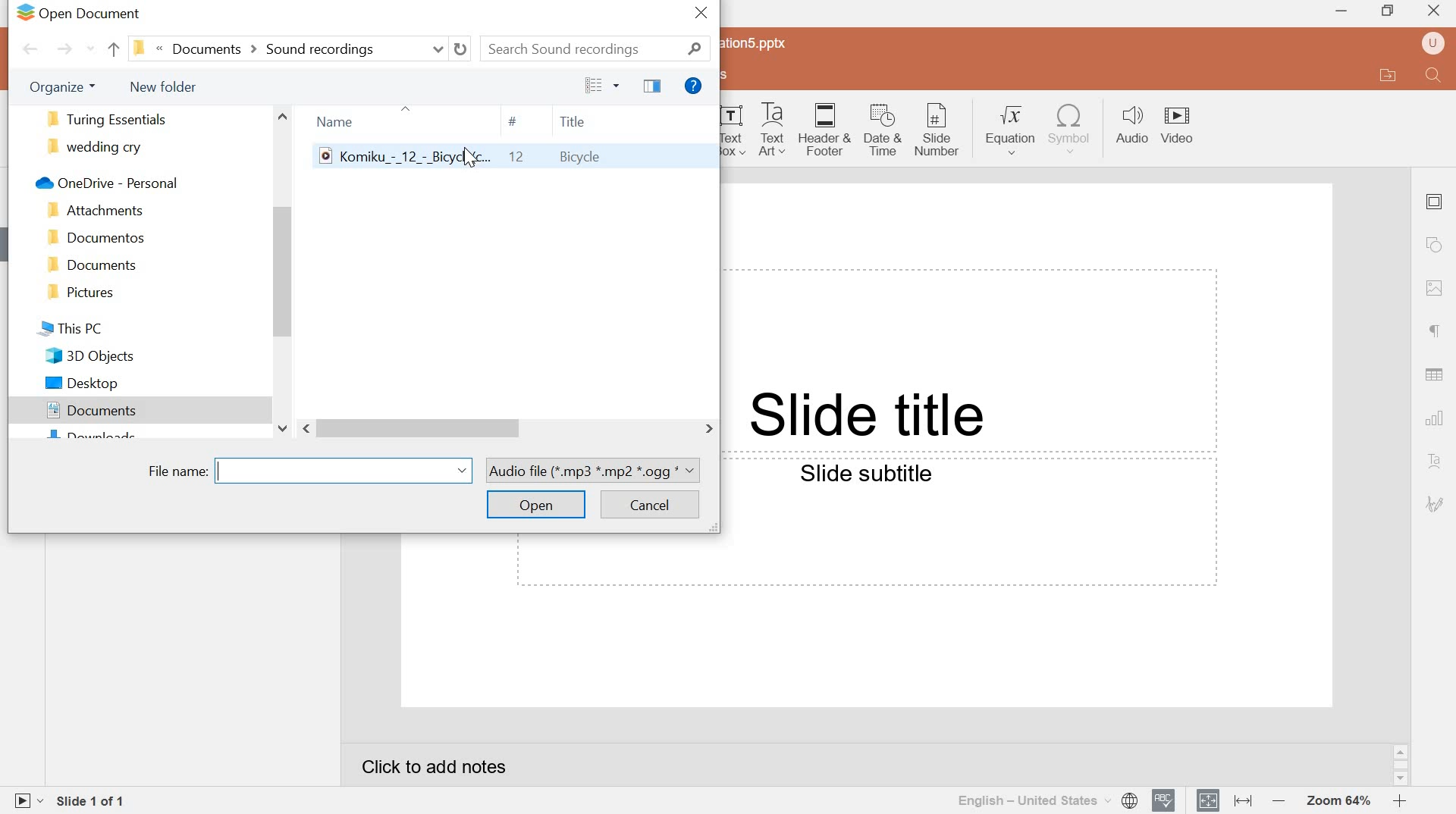 This screenshot has height=814, width=1456. I want to click on new folder, so click(162, 86).